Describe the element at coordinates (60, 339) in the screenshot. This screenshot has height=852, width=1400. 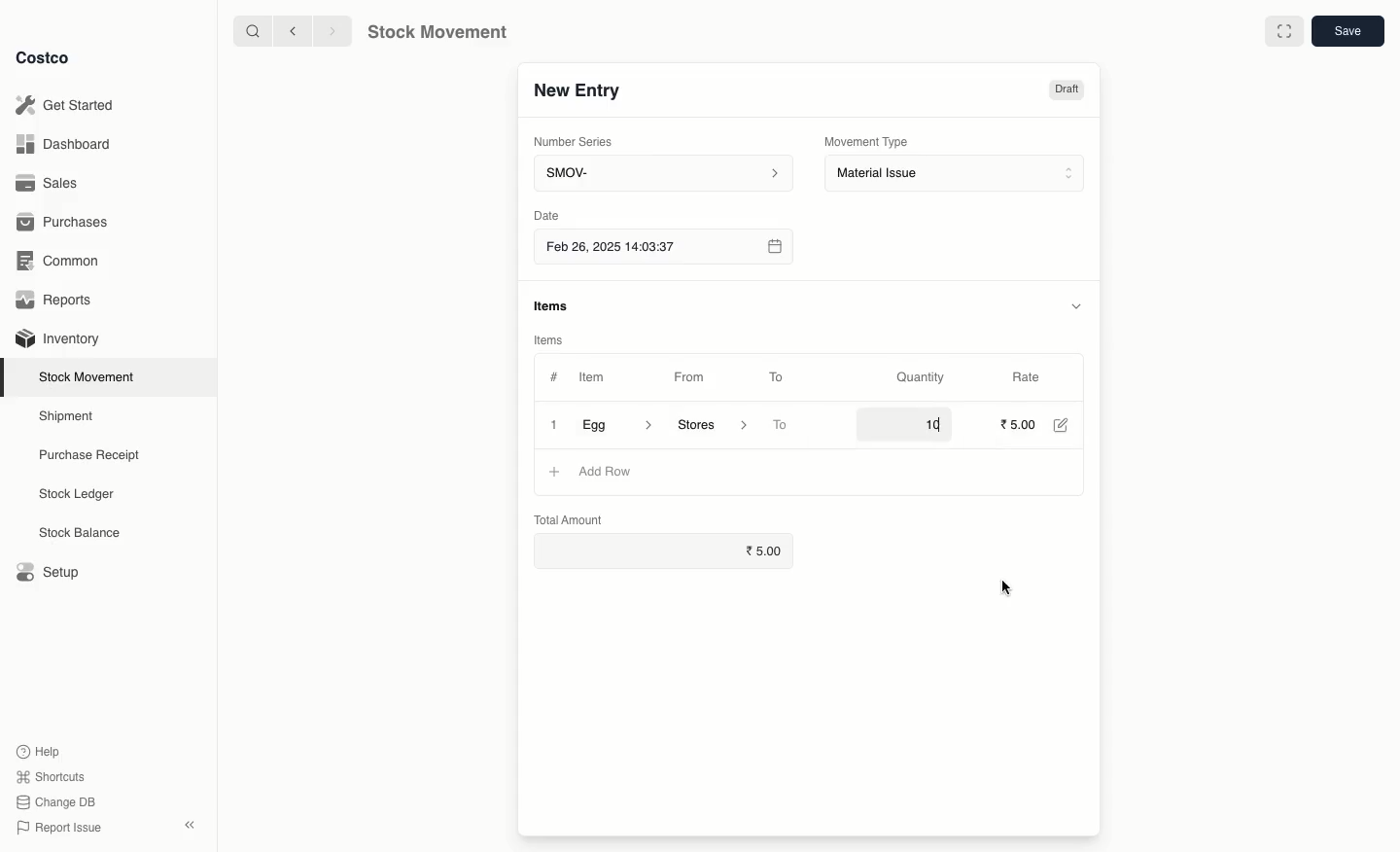
I see `Inventory` at that location.